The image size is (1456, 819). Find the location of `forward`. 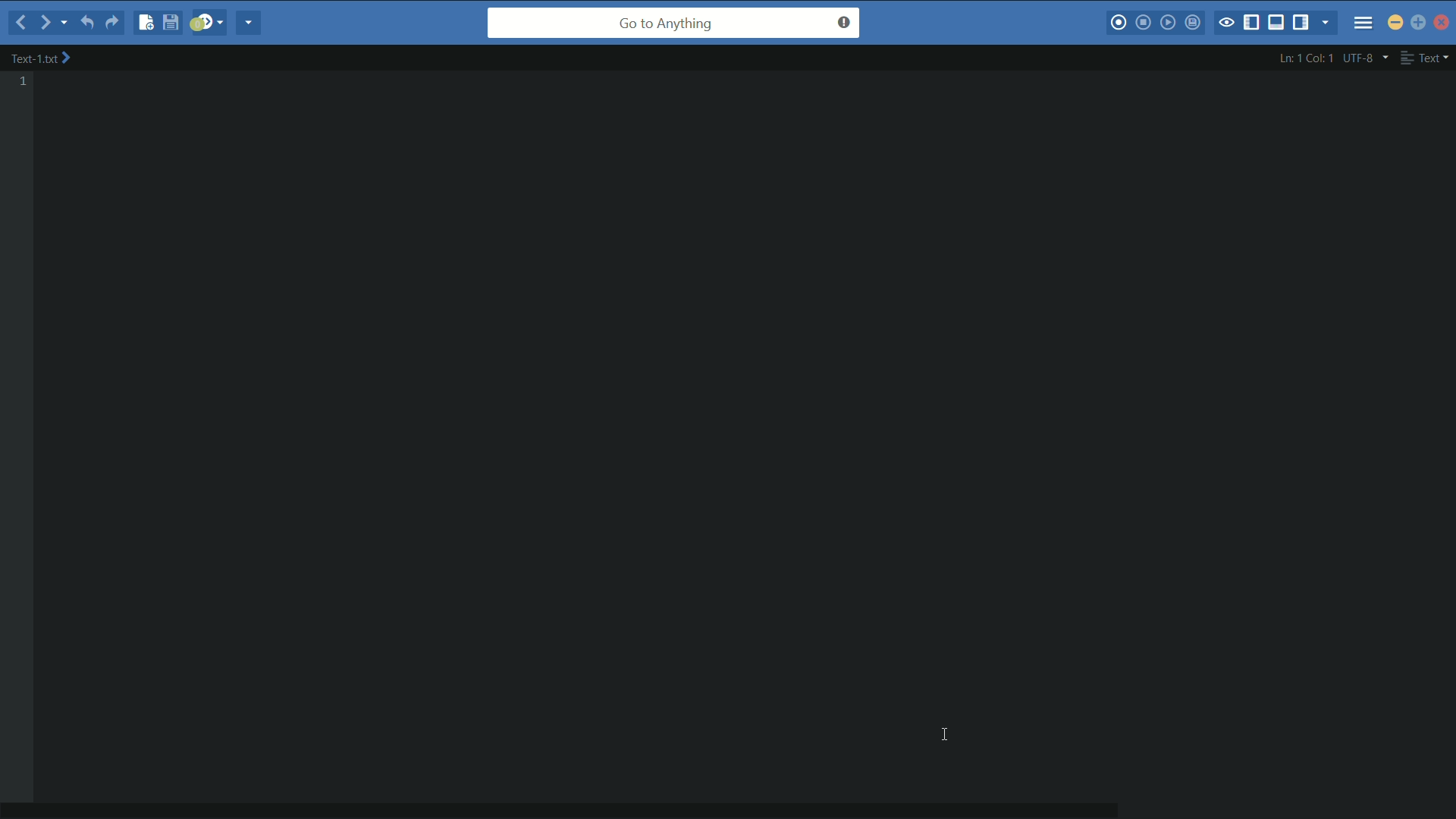

forward is located at coordinates (44, 20).